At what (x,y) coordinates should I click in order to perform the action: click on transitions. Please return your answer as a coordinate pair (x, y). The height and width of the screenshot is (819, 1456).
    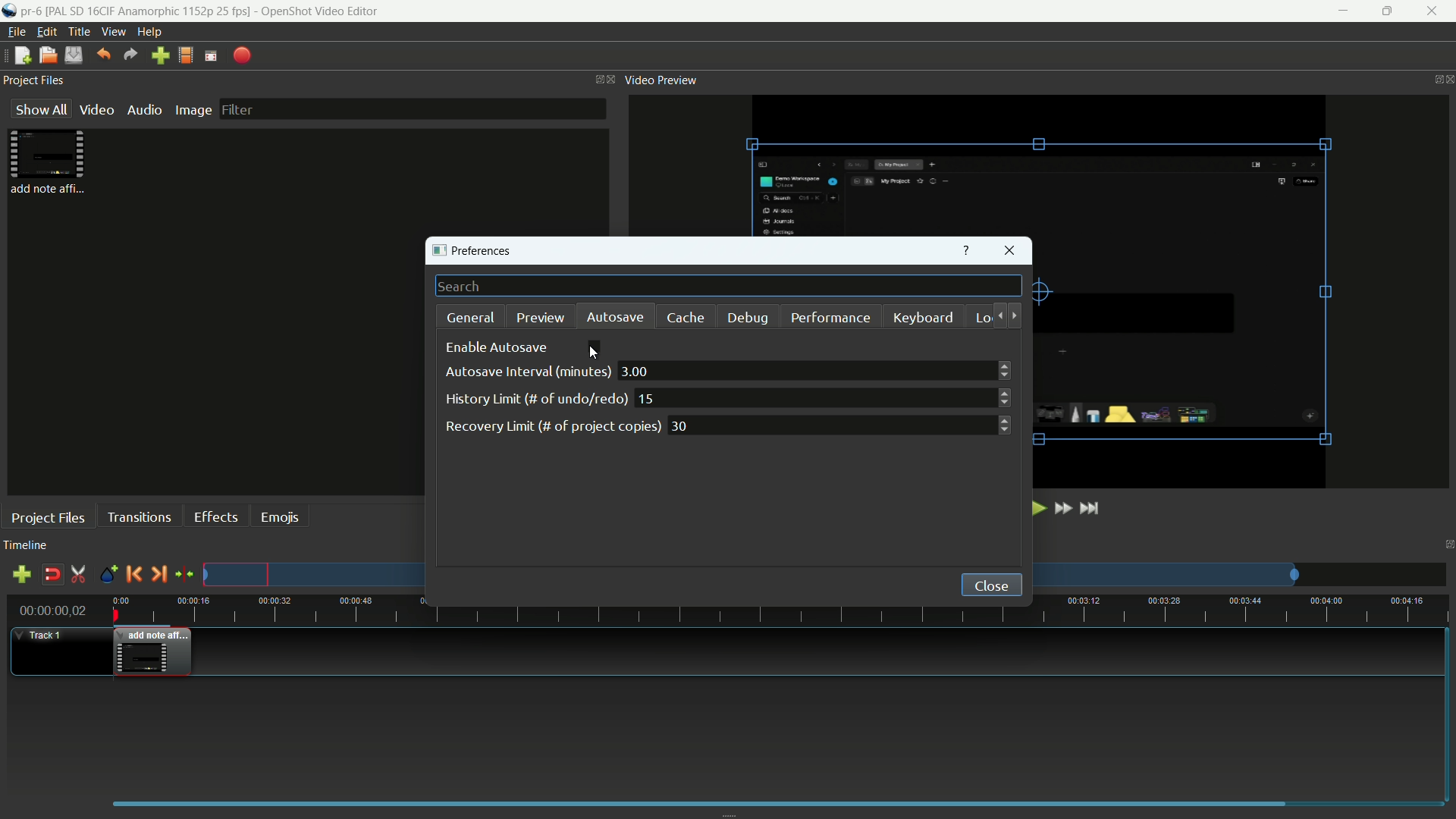
    Looking at the image, I should click on (139, 518).